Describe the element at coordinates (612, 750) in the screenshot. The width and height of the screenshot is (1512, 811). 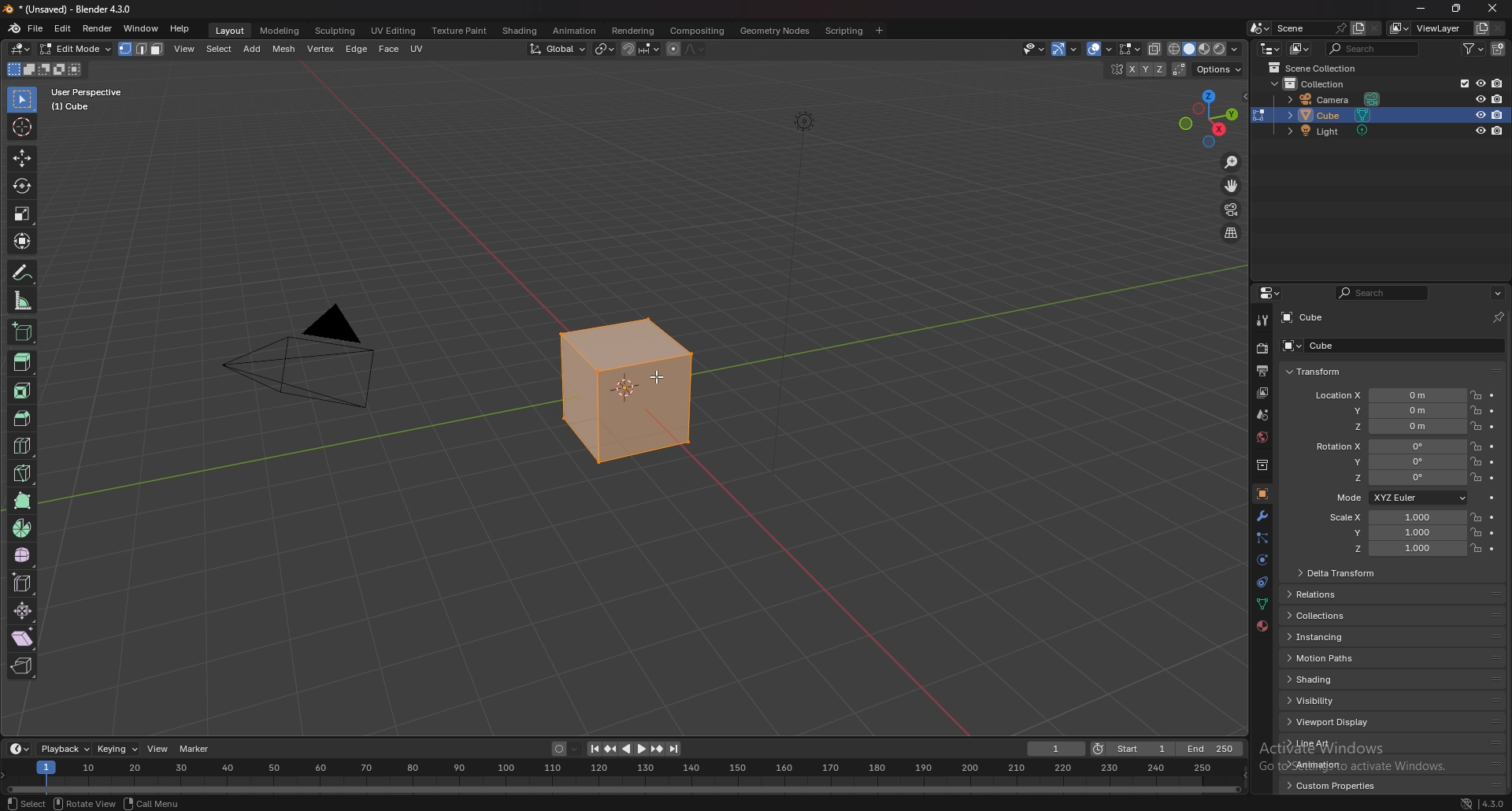
I see `jump to keyframe` at that location.